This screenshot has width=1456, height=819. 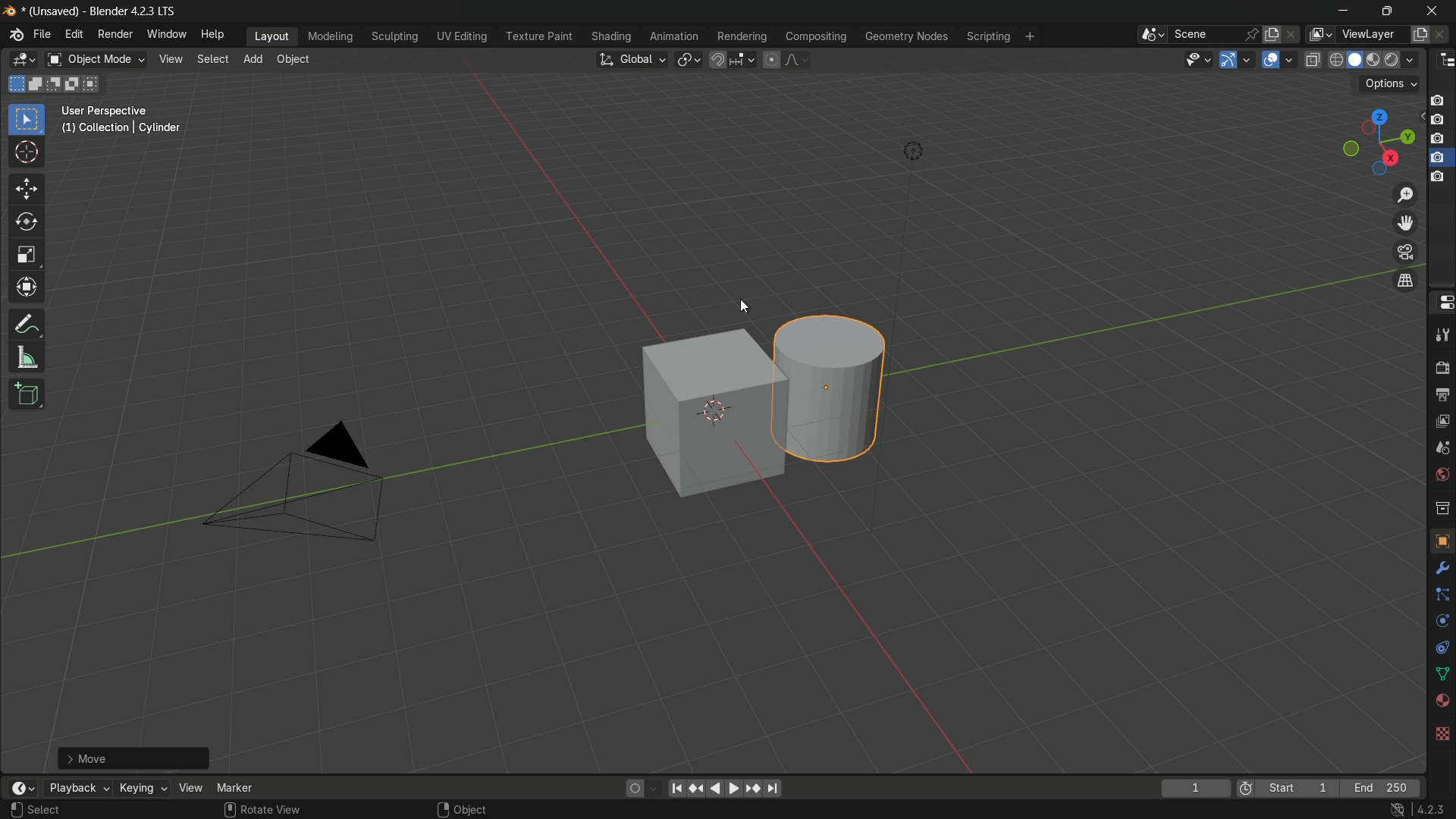 What do you see at coordinates (29, 325) in the screenshot?
I see `annotate` at bounding box center [29, 325].